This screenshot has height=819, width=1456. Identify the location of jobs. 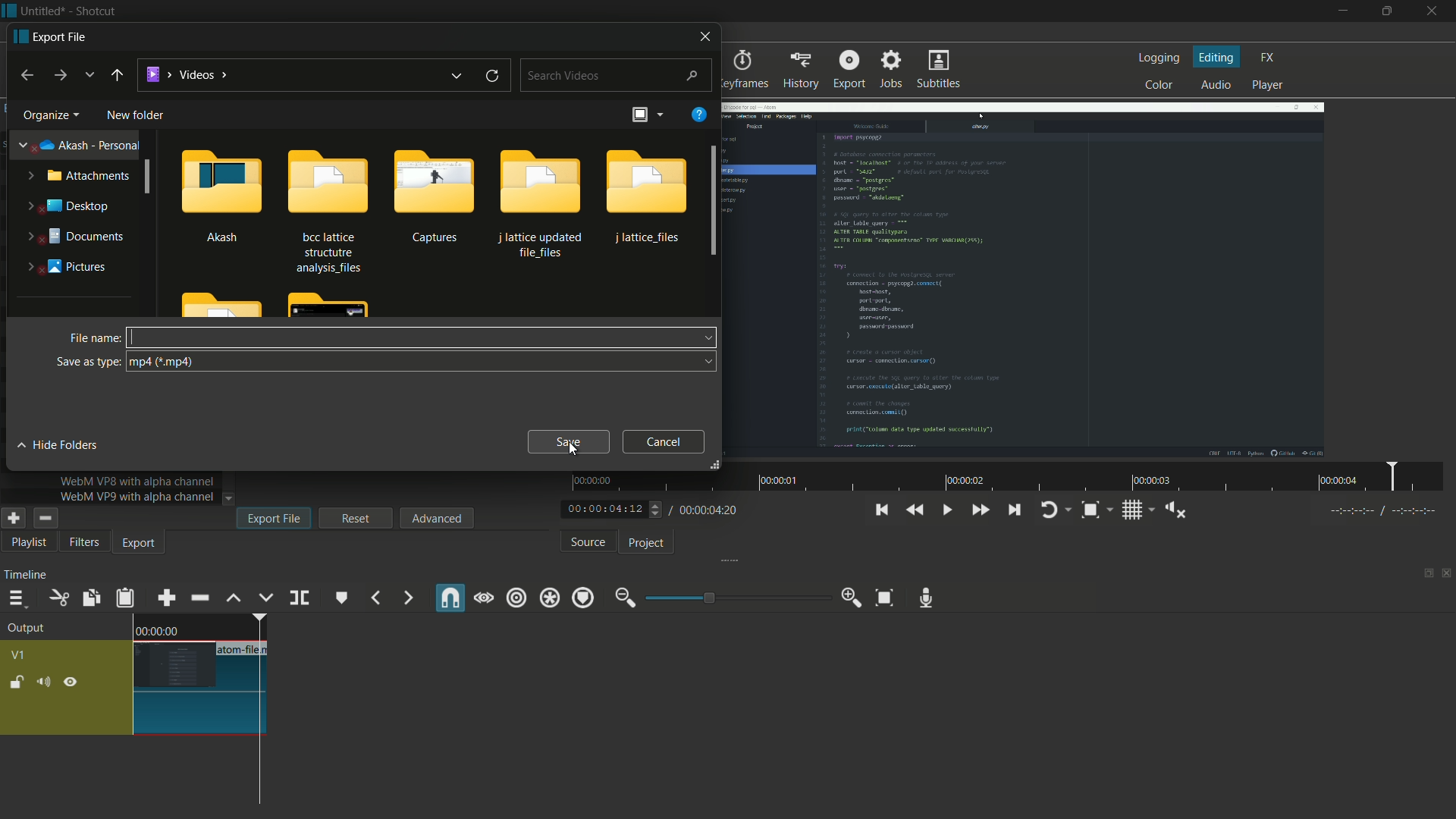
(893, 70).